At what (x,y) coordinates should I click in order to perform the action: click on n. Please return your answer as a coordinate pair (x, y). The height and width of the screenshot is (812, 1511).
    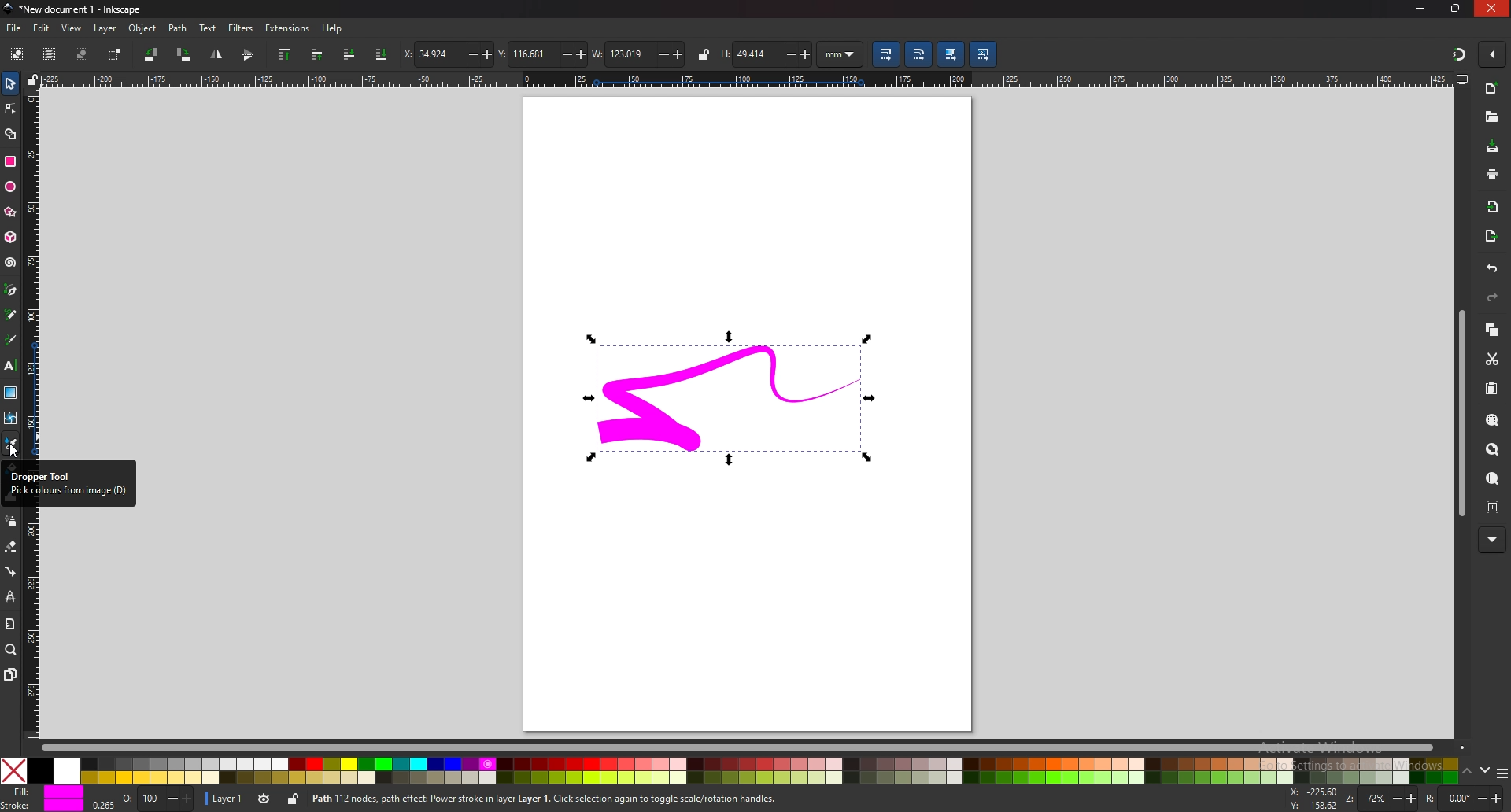
    Looking at the image, I should click on (1493, 89).